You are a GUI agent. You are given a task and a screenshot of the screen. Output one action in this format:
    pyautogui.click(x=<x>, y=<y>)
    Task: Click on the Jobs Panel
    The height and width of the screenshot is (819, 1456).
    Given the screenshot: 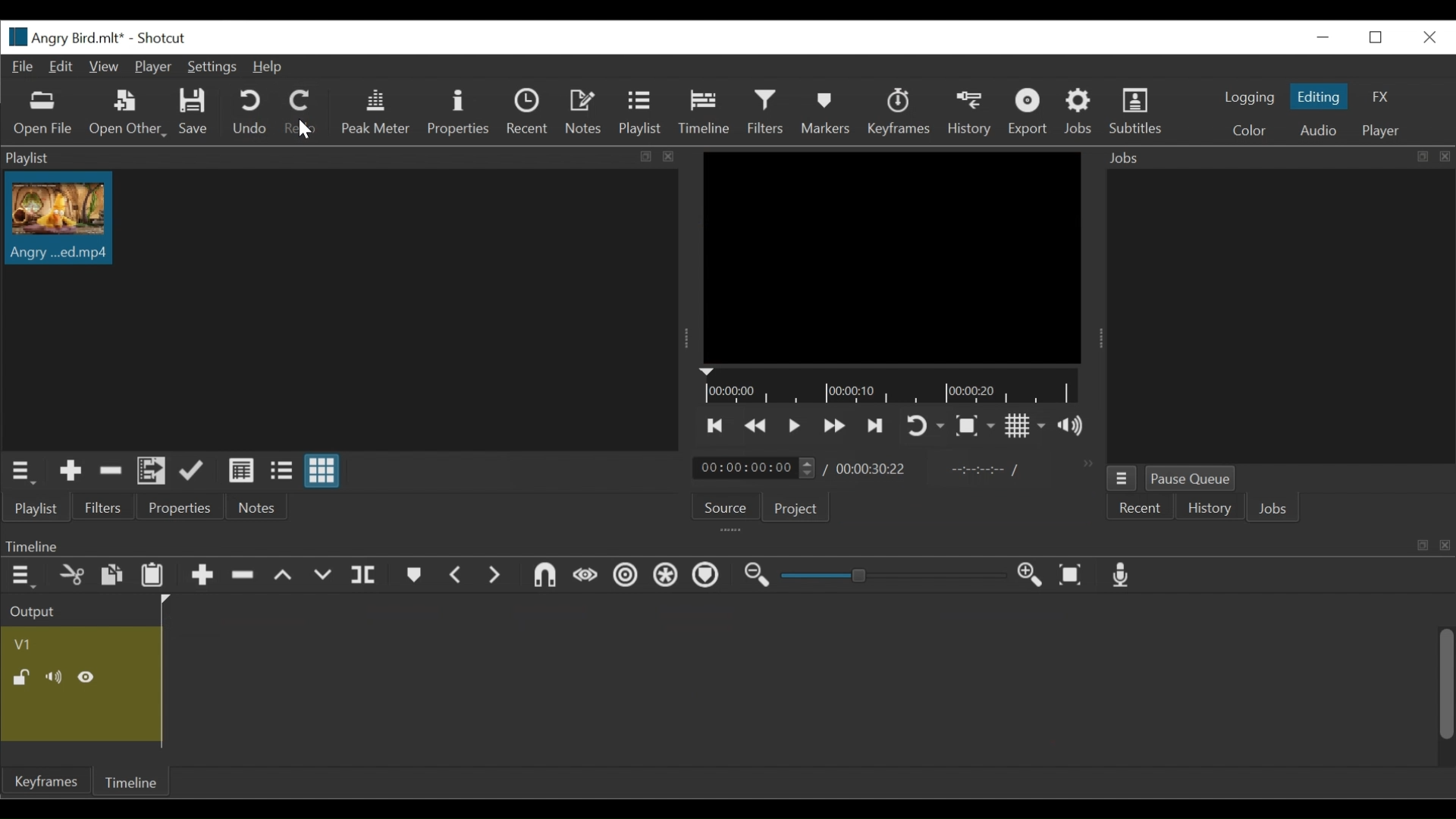 What is the action you would take?
    pyautogui.click(x=1279, y=316)
    